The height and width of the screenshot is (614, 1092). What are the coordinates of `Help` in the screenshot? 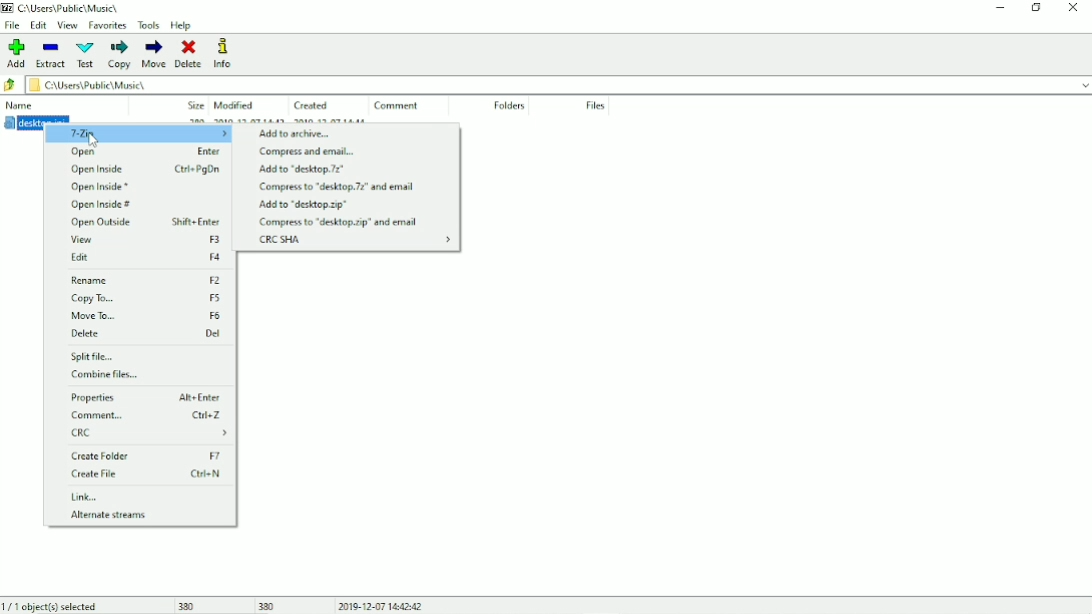 It's located at (181, 26).